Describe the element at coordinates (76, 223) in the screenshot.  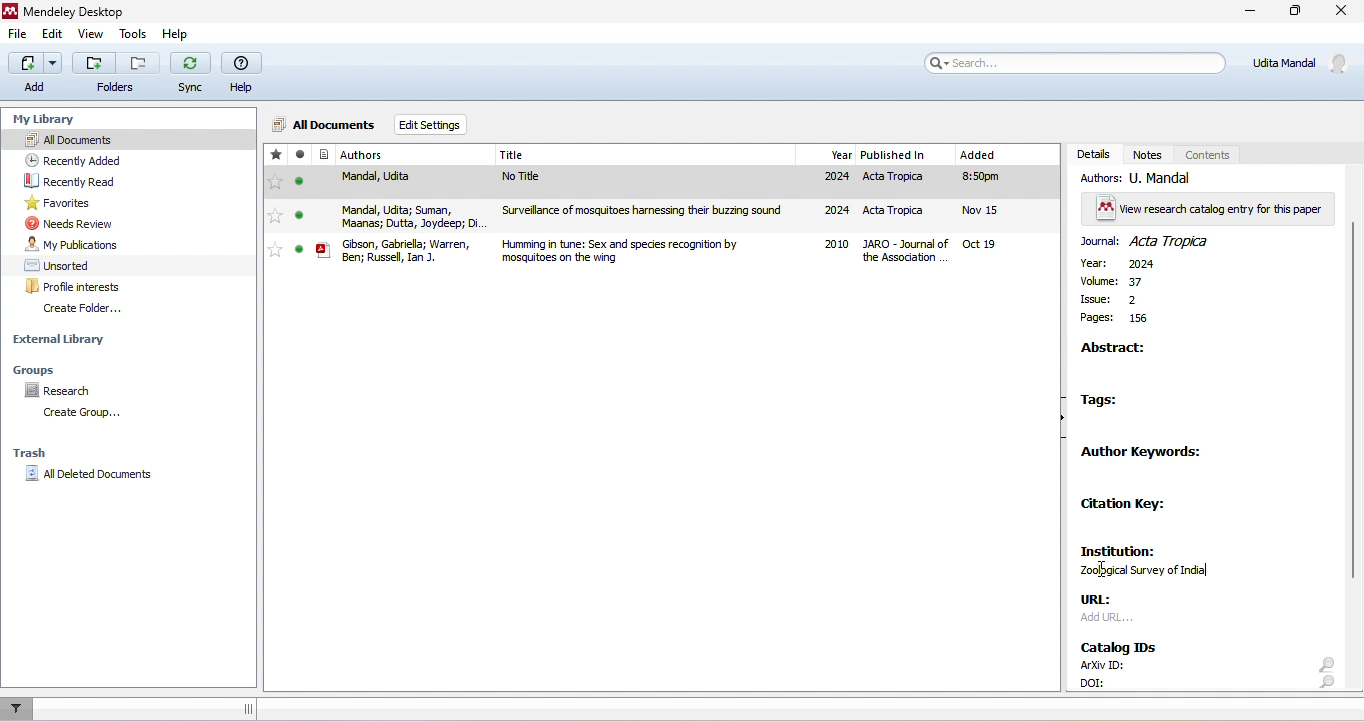
I see `needs review` at that location.